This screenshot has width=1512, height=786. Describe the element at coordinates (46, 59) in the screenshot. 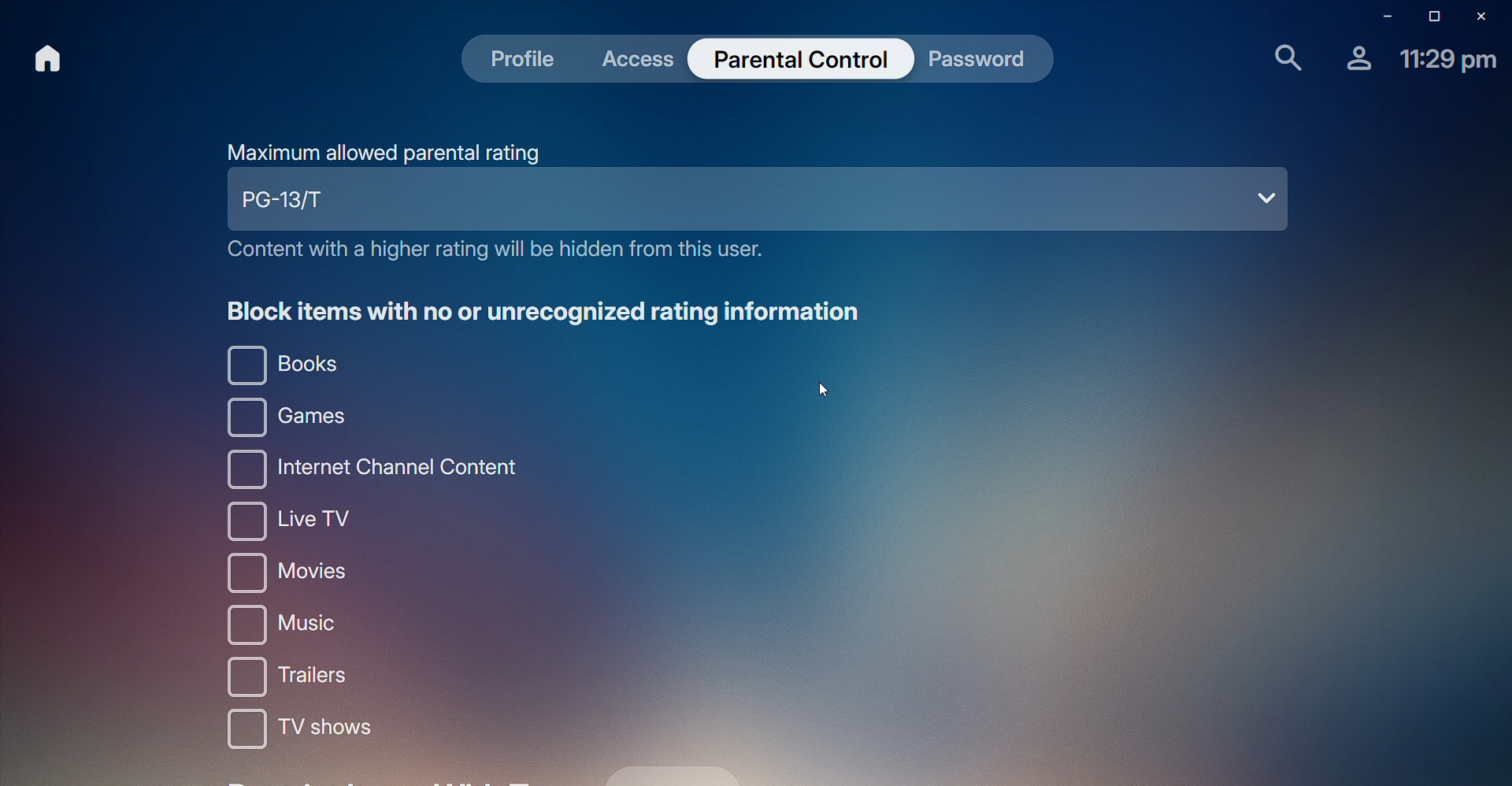

I see `Home` at that location.